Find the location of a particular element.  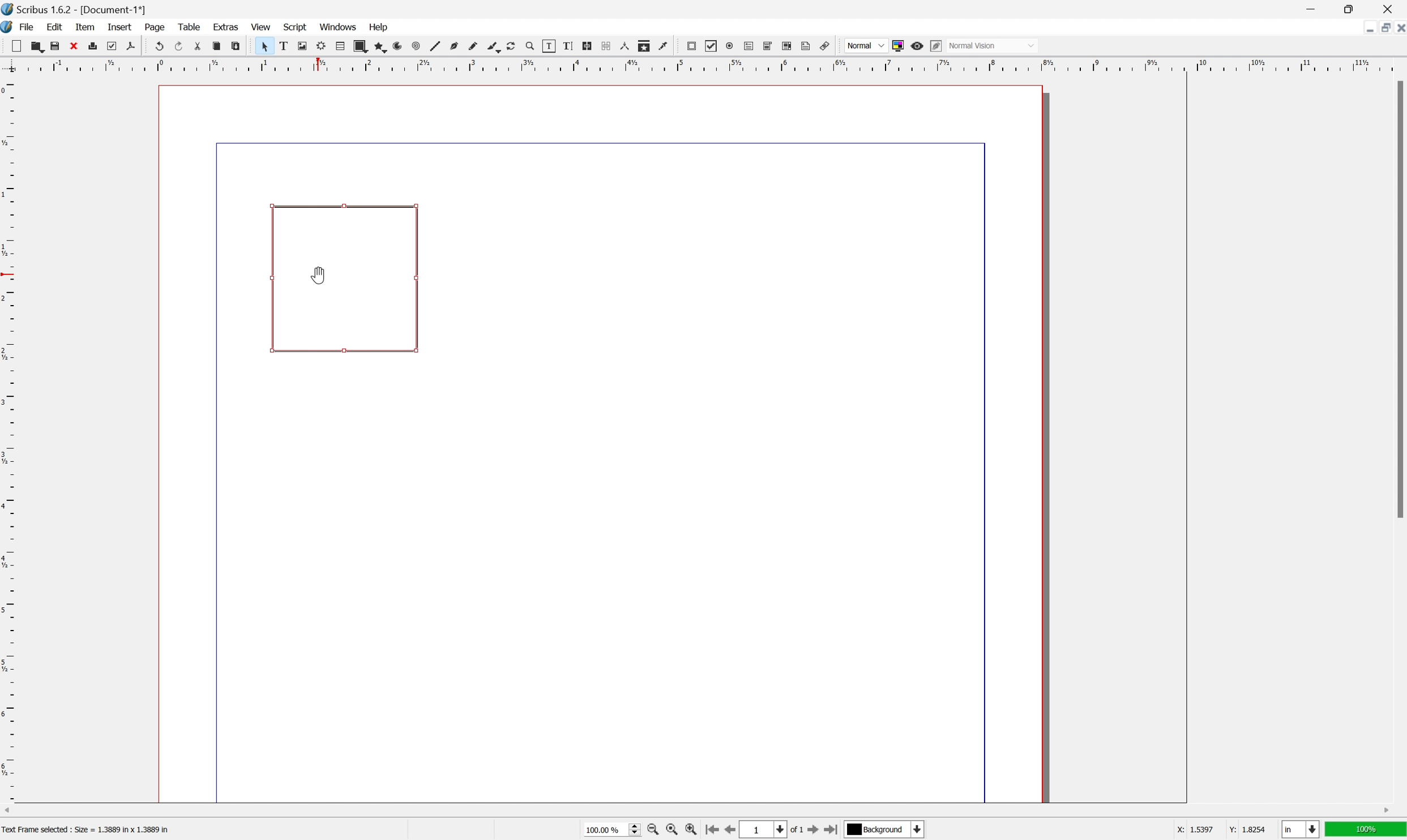

extras is located at coordinates (227, 26).